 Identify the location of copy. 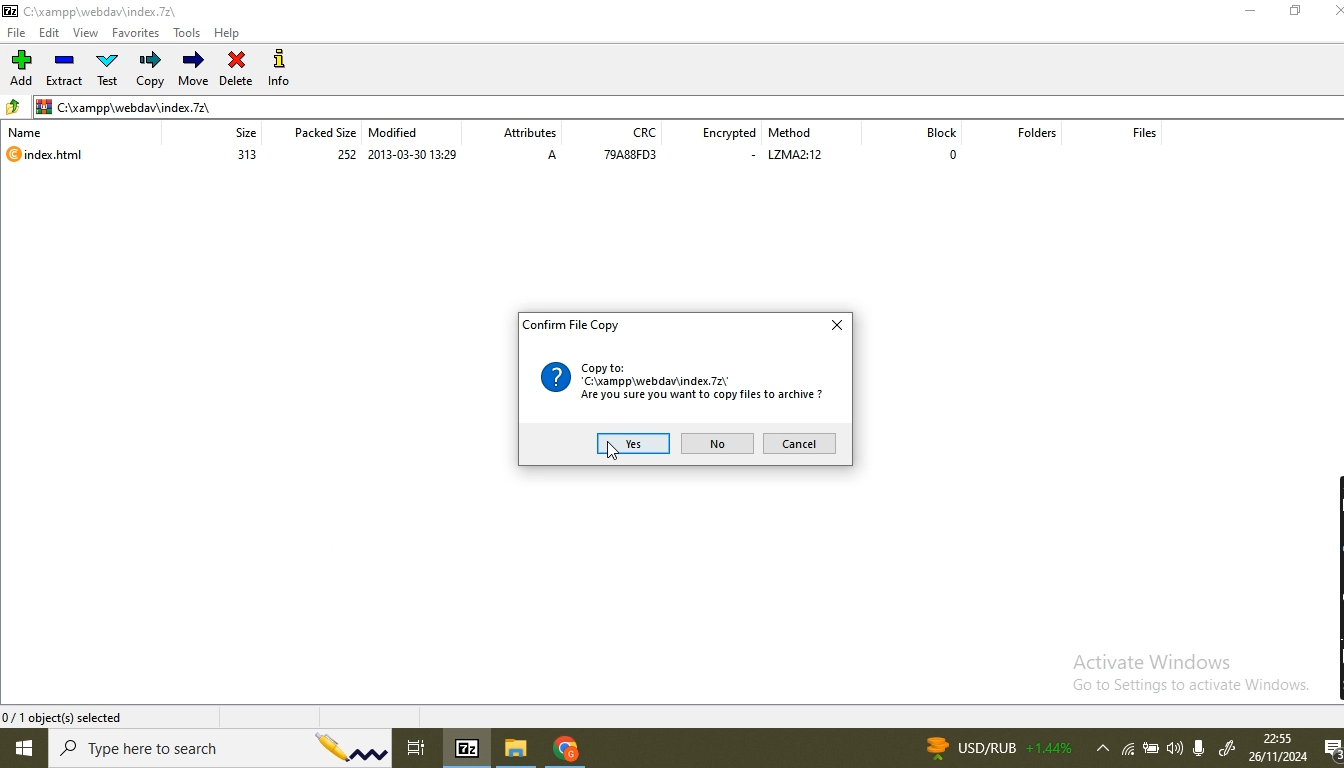
(150, 70).